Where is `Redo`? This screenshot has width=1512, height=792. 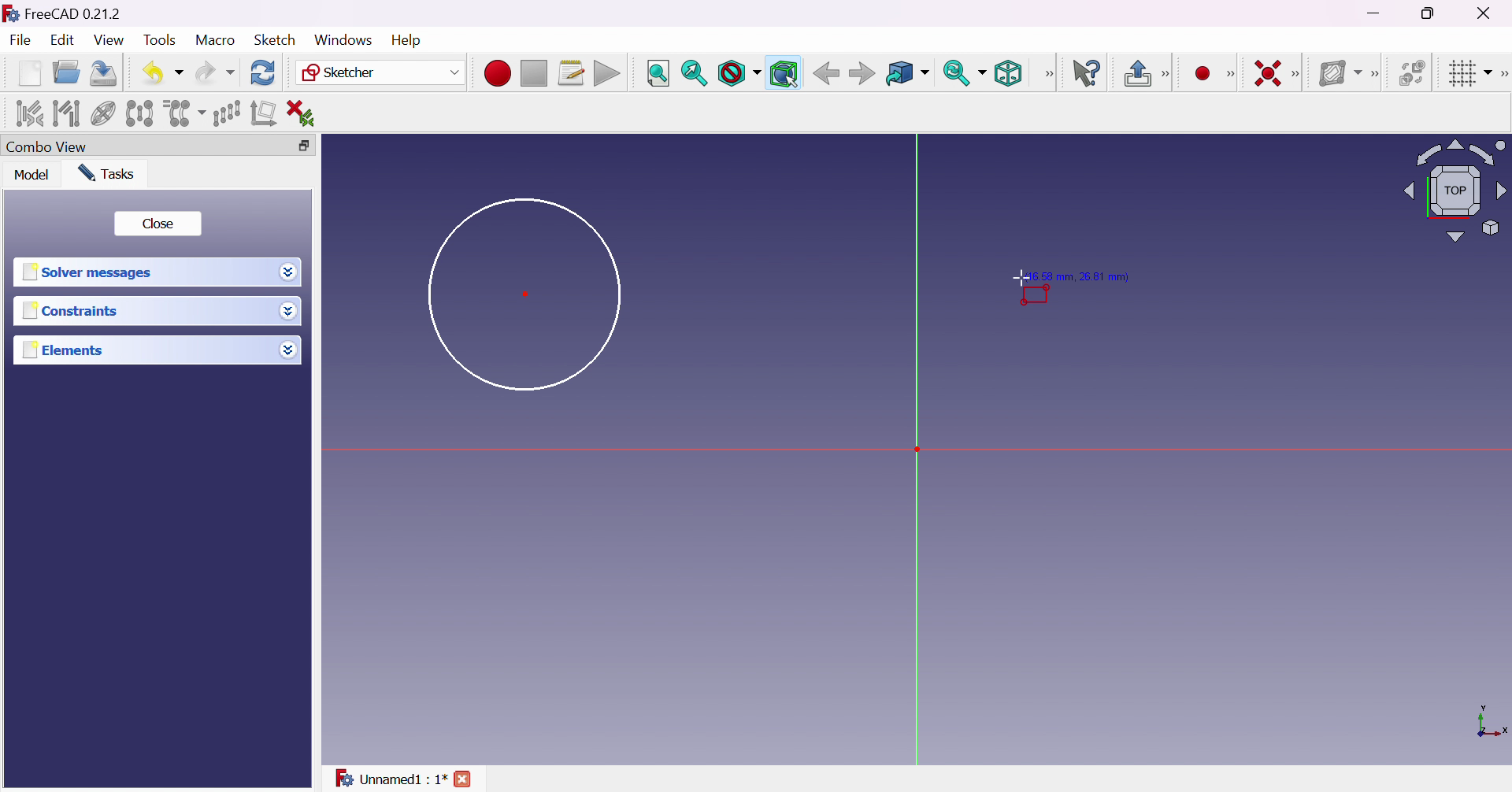 Redo is located at coordinates (215, 72).